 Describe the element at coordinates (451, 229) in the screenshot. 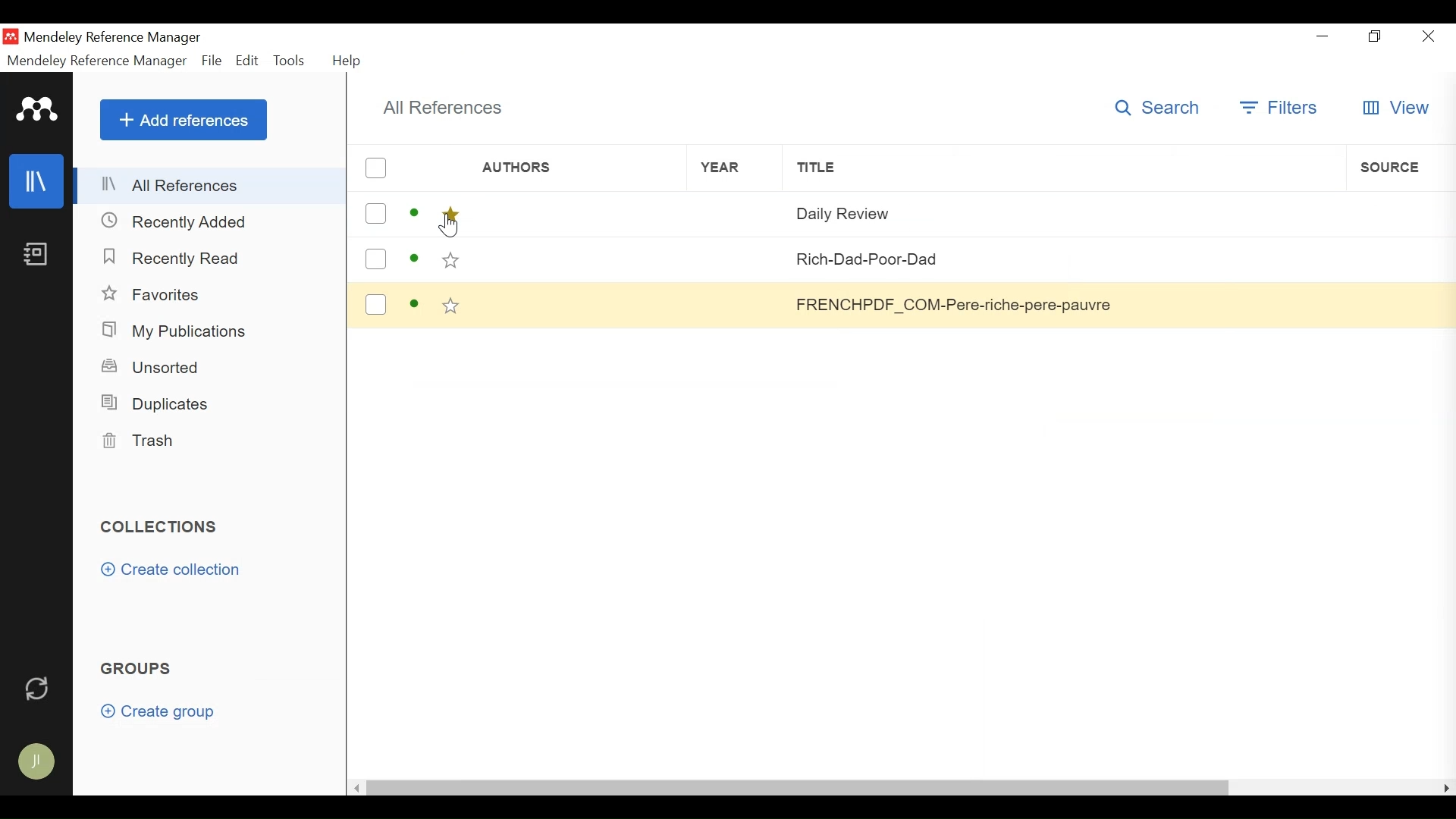

I see `Cursor ` at that location.